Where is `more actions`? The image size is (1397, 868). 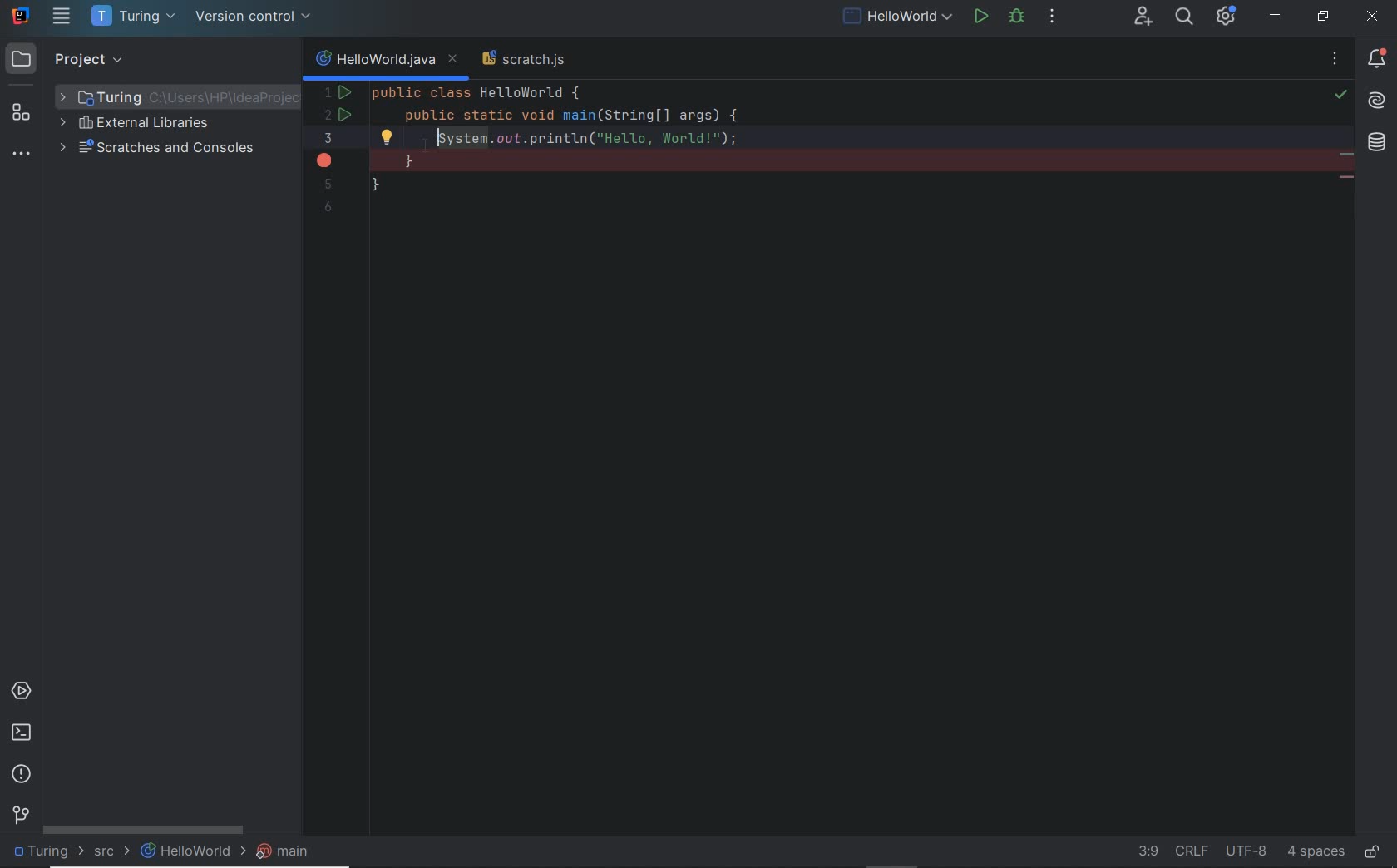 more actions is located at coordinates (1052, 18).